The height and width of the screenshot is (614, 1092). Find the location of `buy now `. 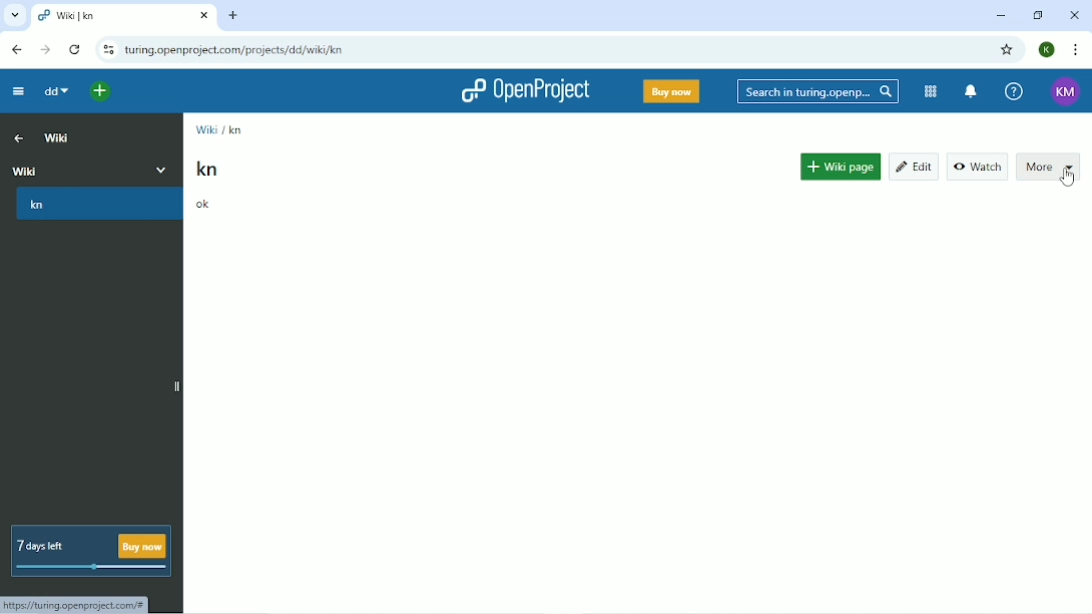

buy now  is located at coordinates (147, 547).